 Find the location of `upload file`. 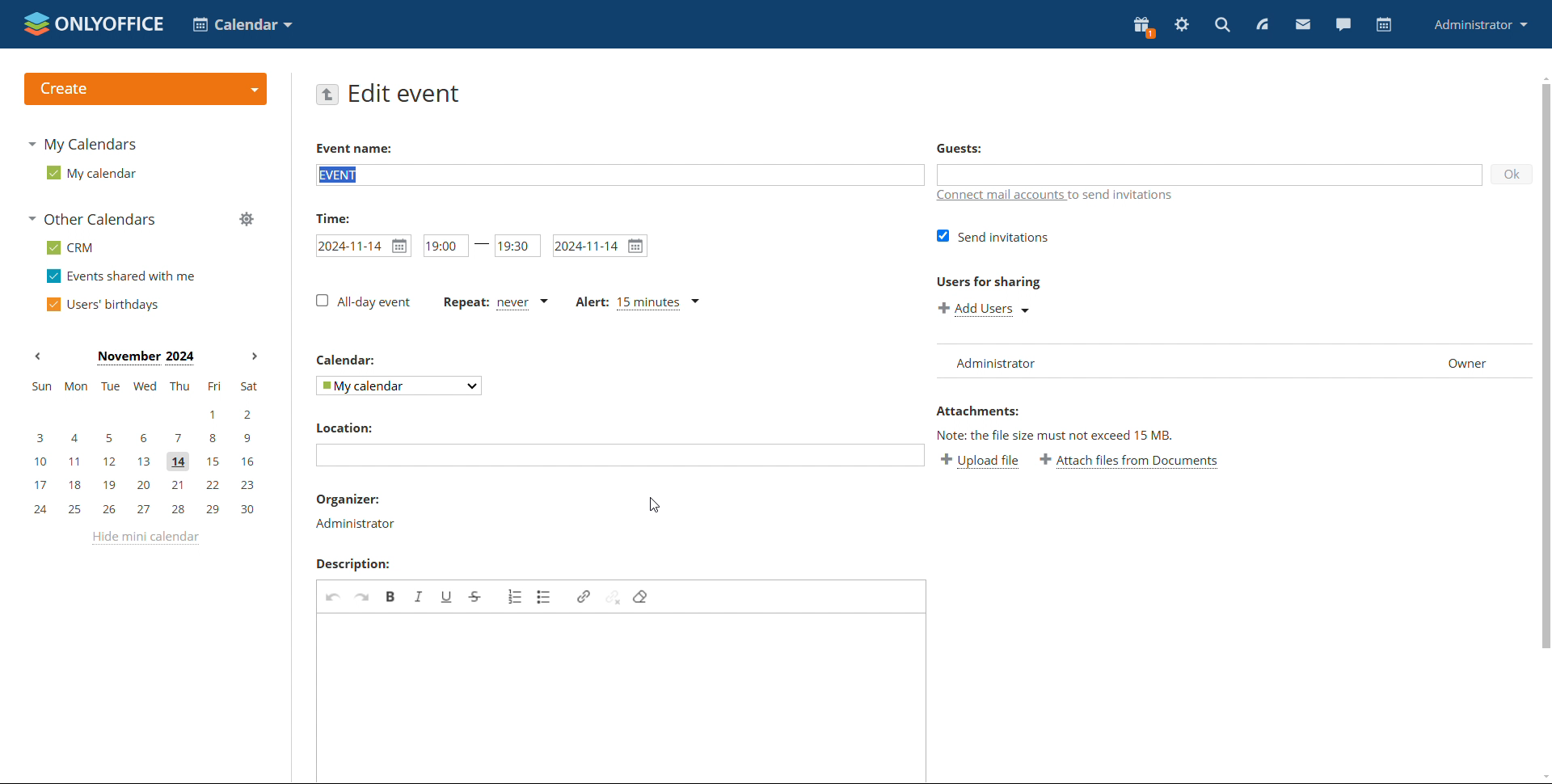

upload file is located at coordinates (982, 462).